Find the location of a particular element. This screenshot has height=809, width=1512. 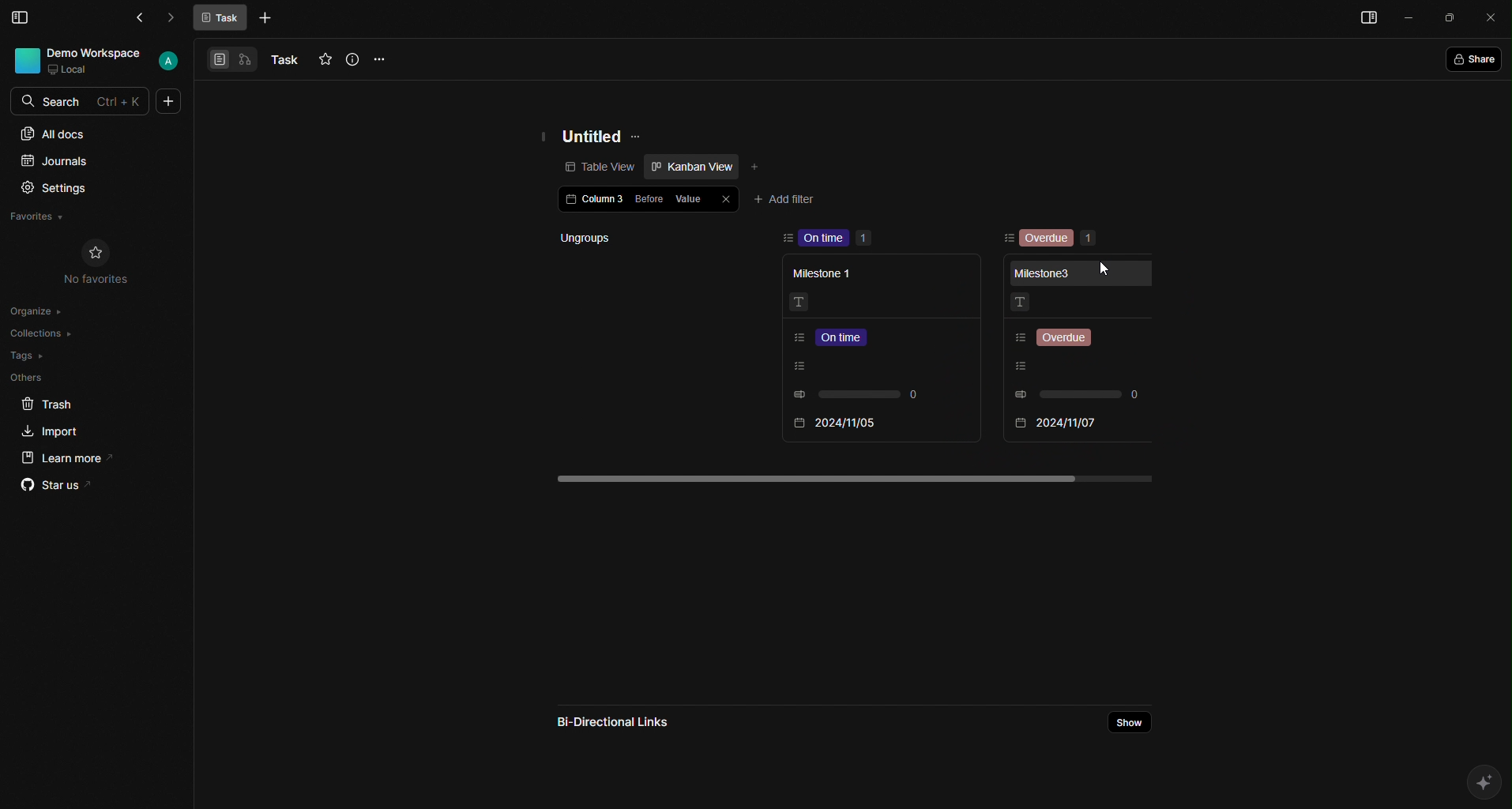

Sorting is located at coordinates (1006, 238).